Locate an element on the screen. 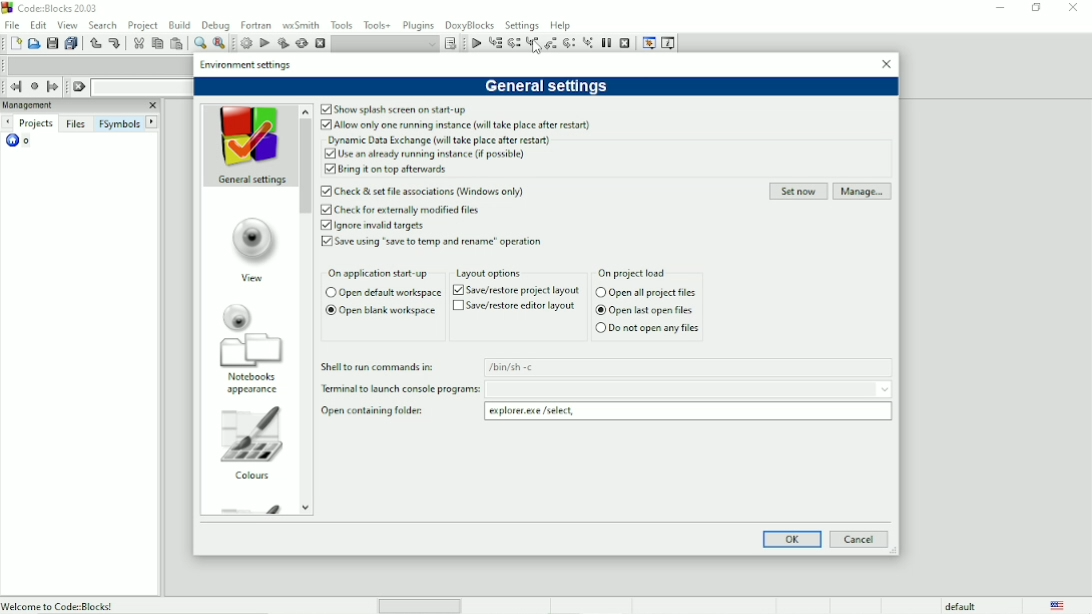 The image size is (1092, 614). close is located at coordinates (151, 106).